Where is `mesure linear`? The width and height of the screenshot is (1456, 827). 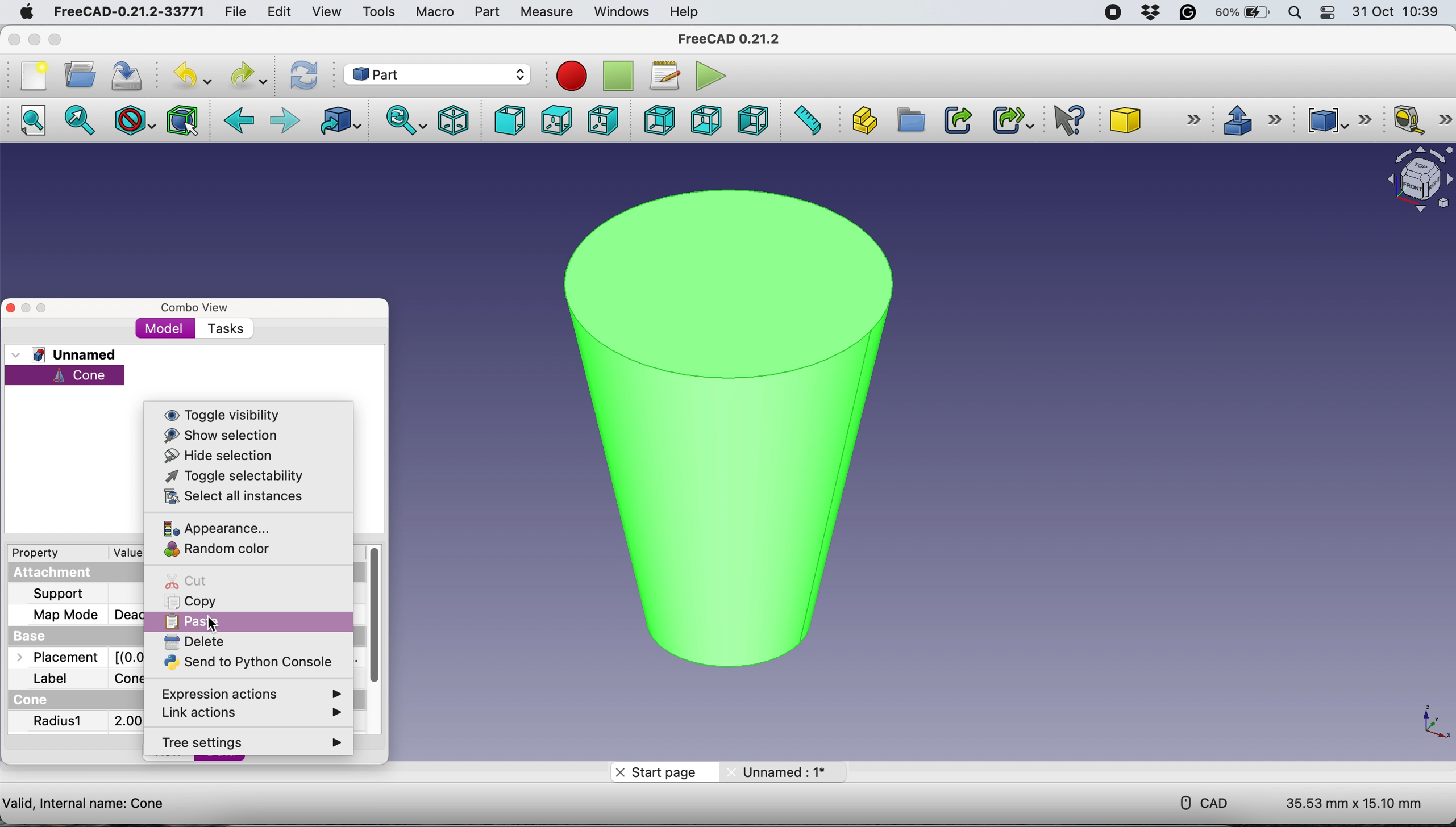 mesure linear is located at coordinates (1418, 122).